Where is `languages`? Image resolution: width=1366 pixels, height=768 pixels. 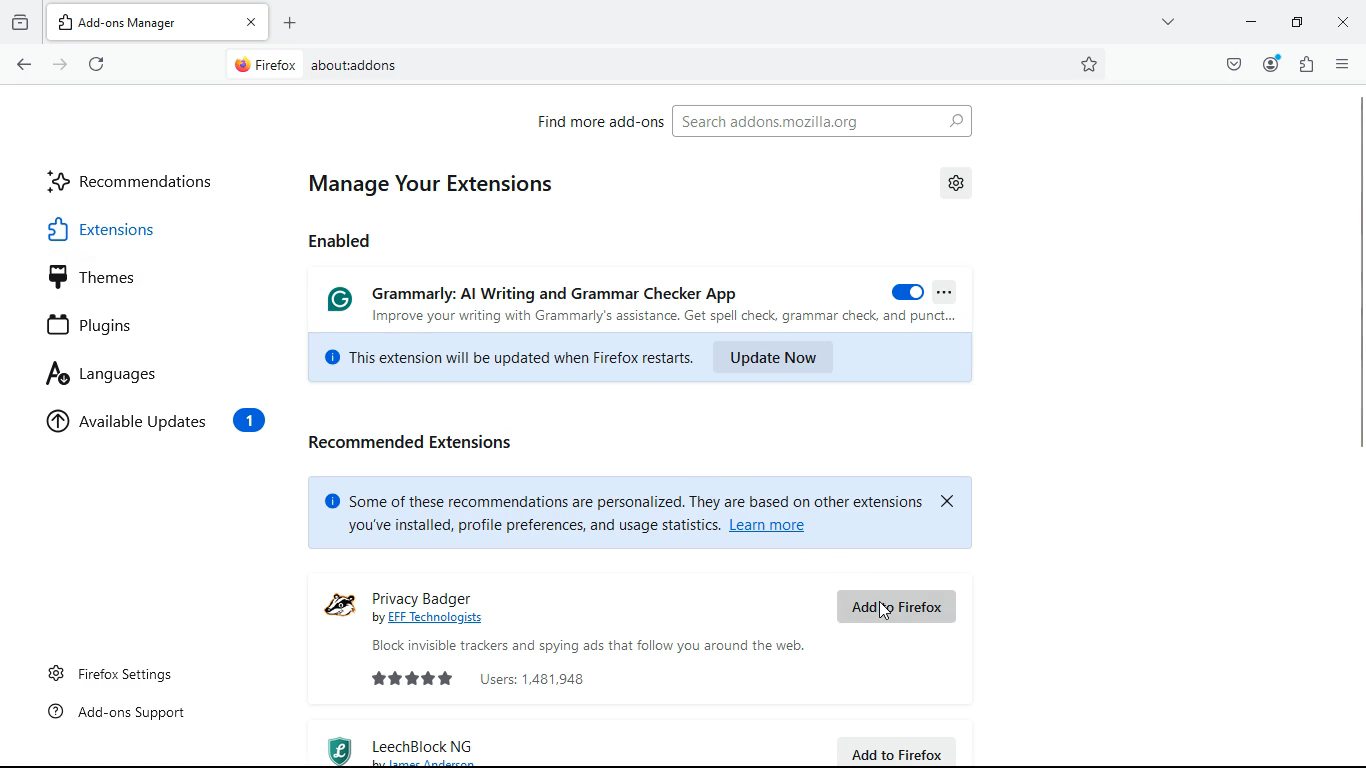
languages is located at coordinates (145, 374).